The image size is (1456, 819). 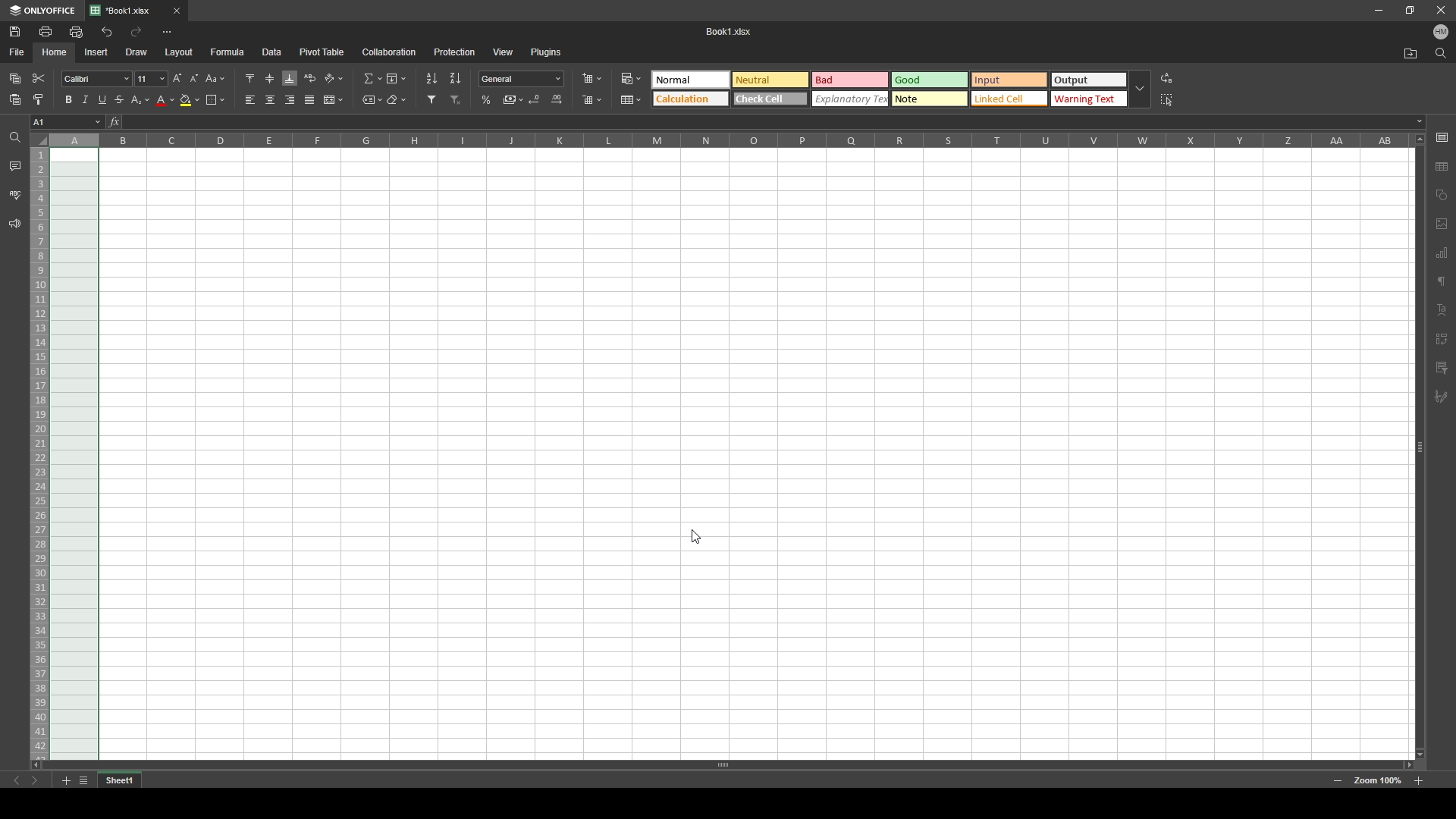 I want to click on close tab, so click(x=177, y=11).